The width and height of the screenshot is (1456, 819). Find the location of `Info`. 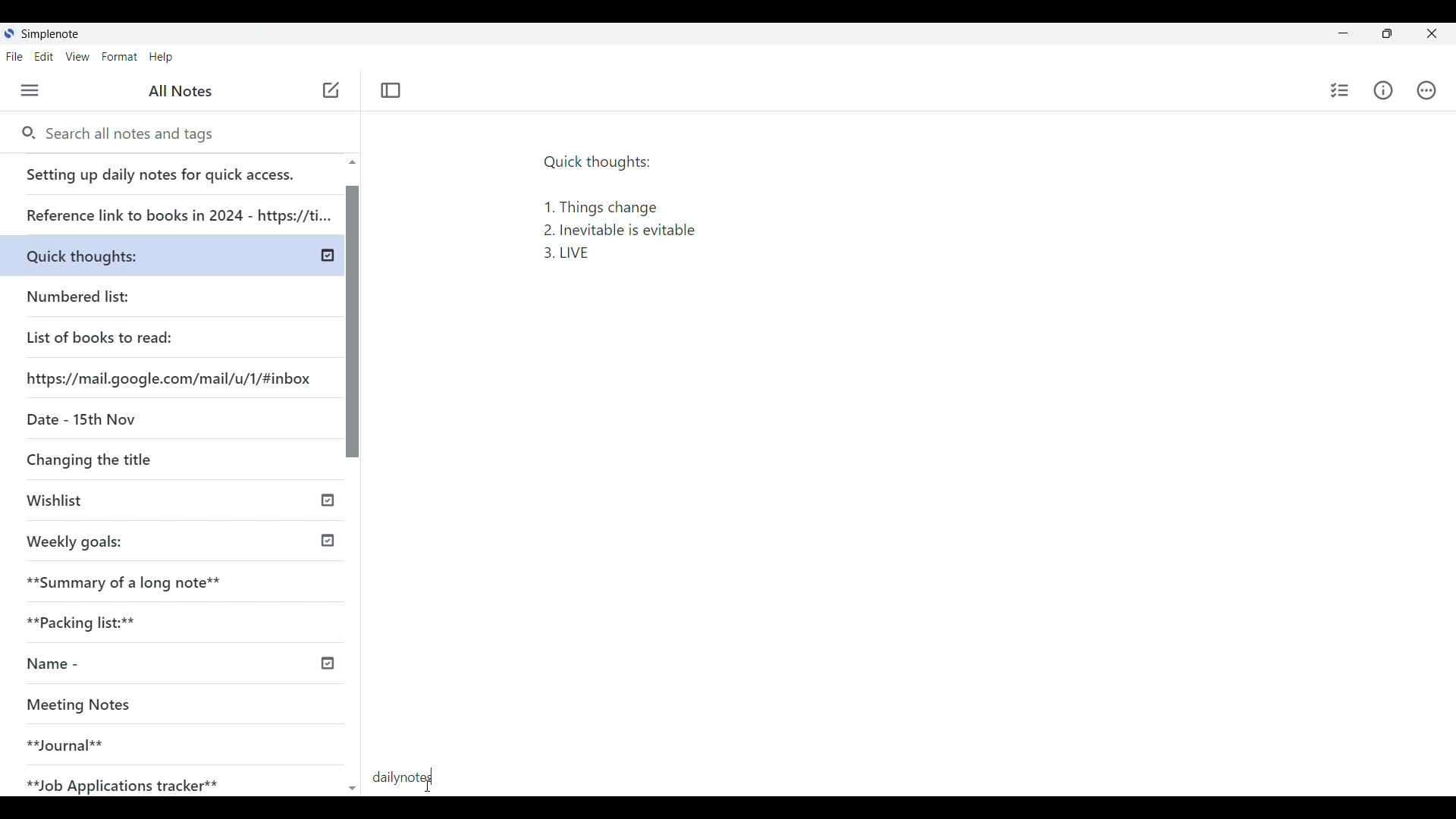

Info is located at coordinates (1382, 91).